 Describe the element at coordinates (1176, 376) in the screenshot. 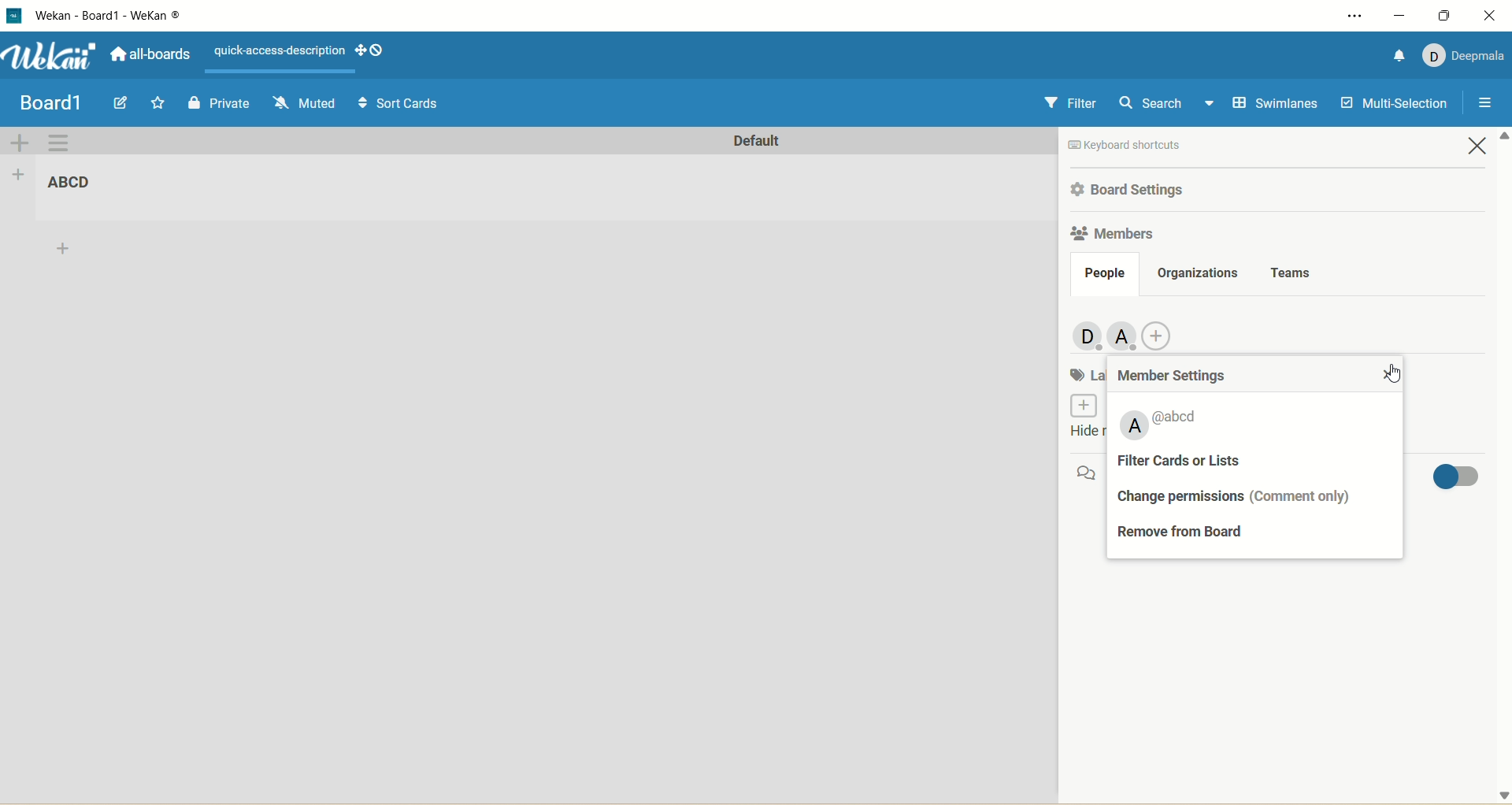

I see `member settings` at that location.